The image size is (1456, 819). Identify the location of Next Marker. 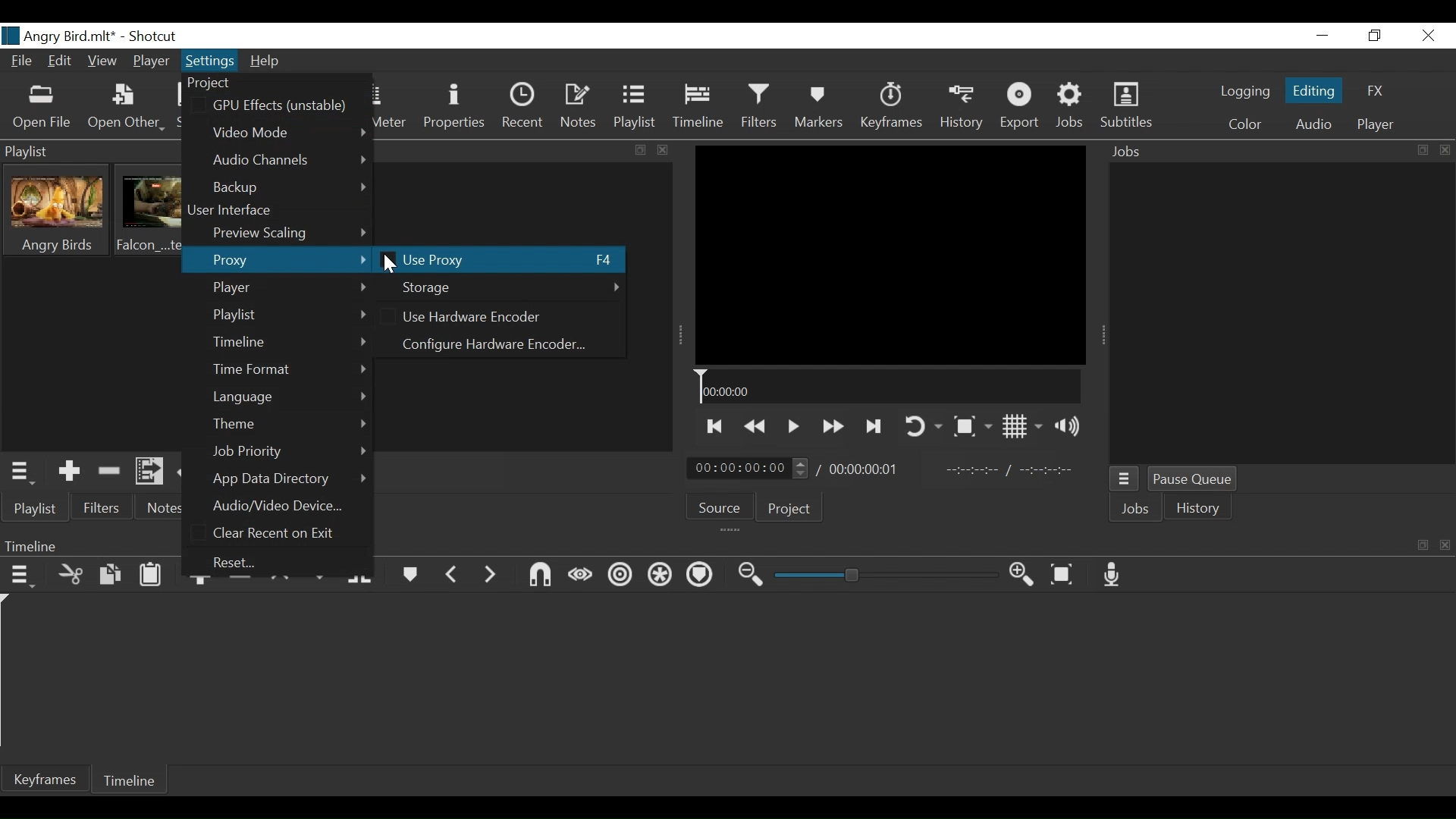
(493, 576).